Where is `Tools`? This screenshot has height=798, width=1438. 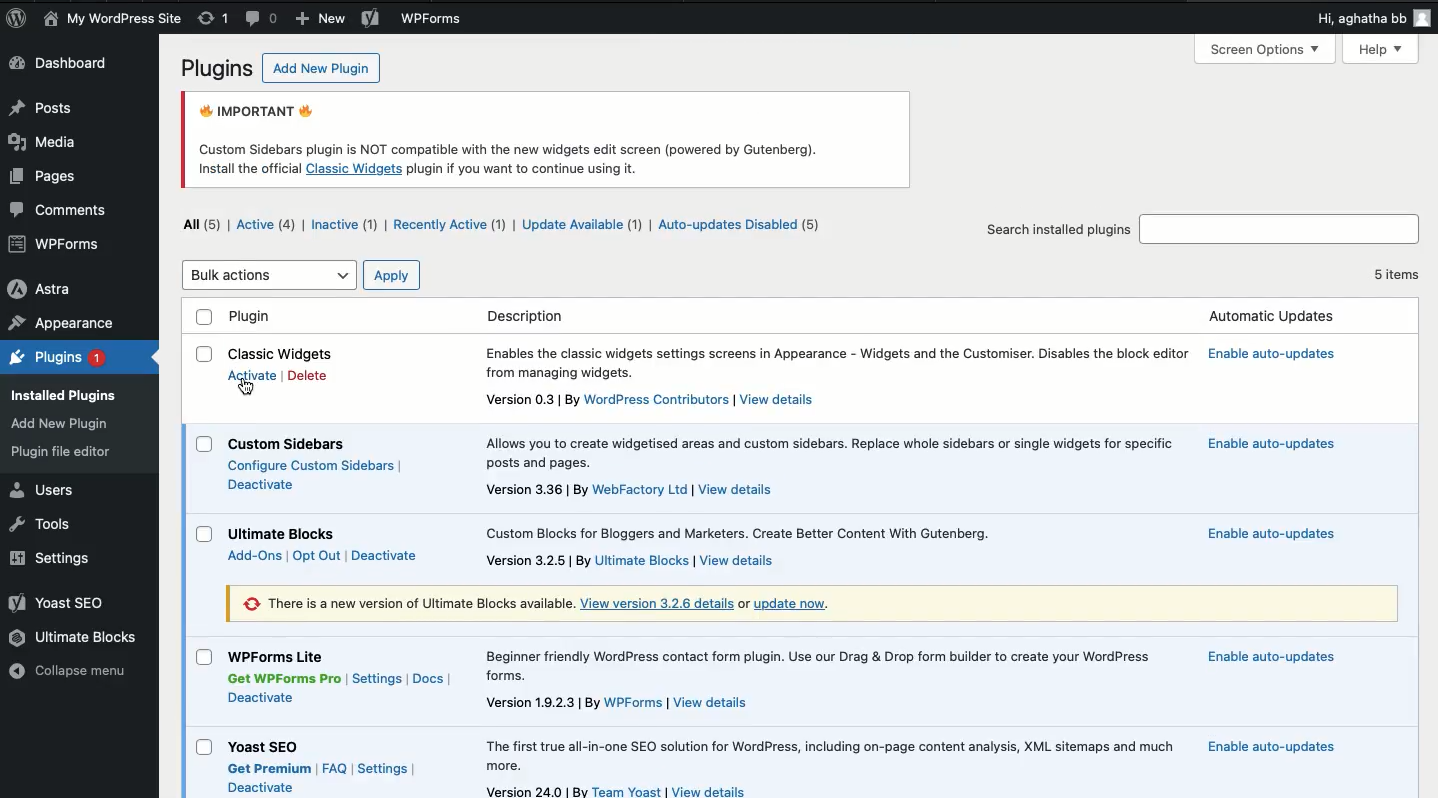 Tools is located at coordinates (39, 522).